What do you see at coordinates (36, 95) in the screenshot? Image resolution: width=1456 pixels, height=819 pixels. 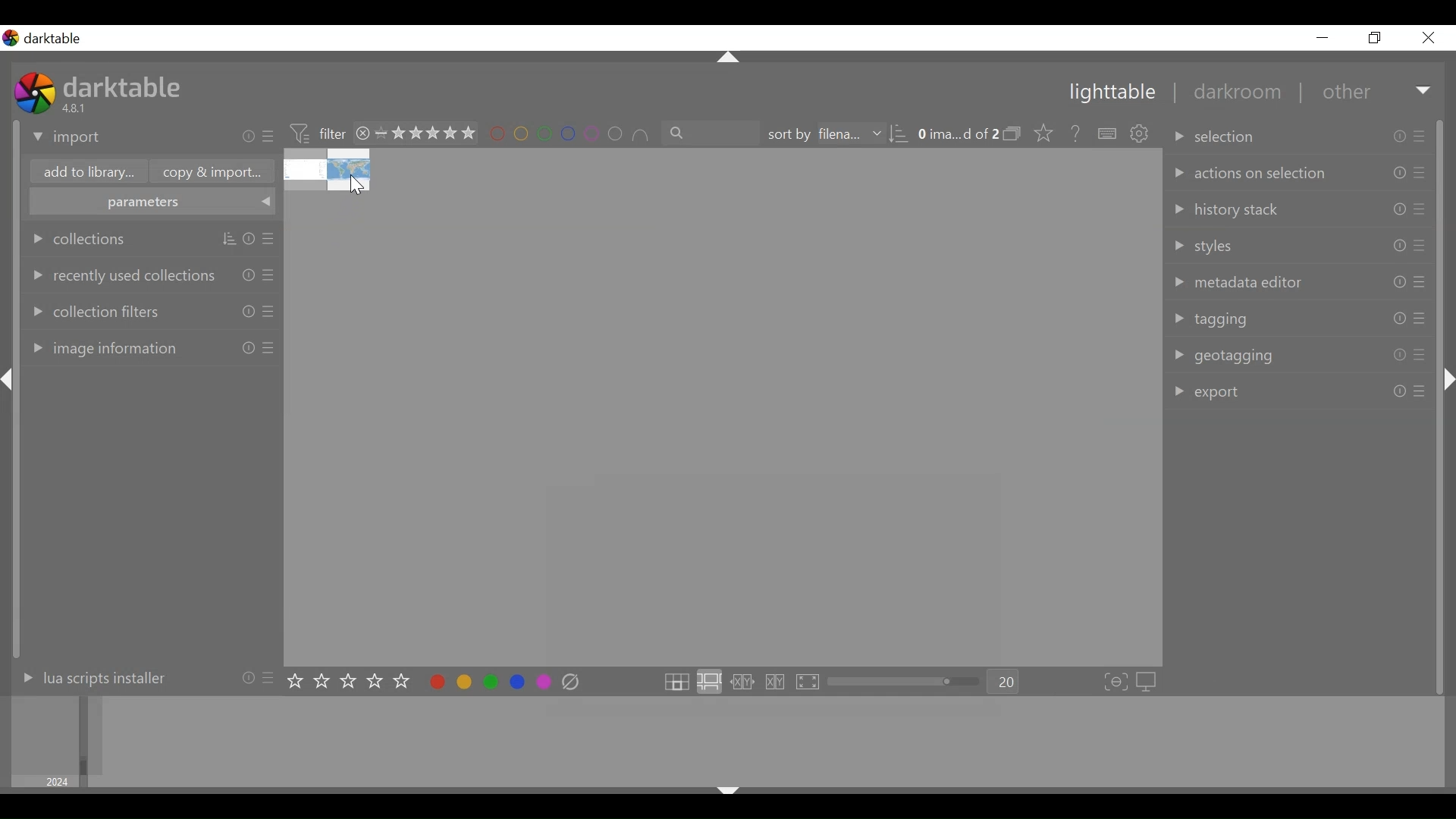 I see `Darktable Desktop Icon` at bounding box center [36, 95].